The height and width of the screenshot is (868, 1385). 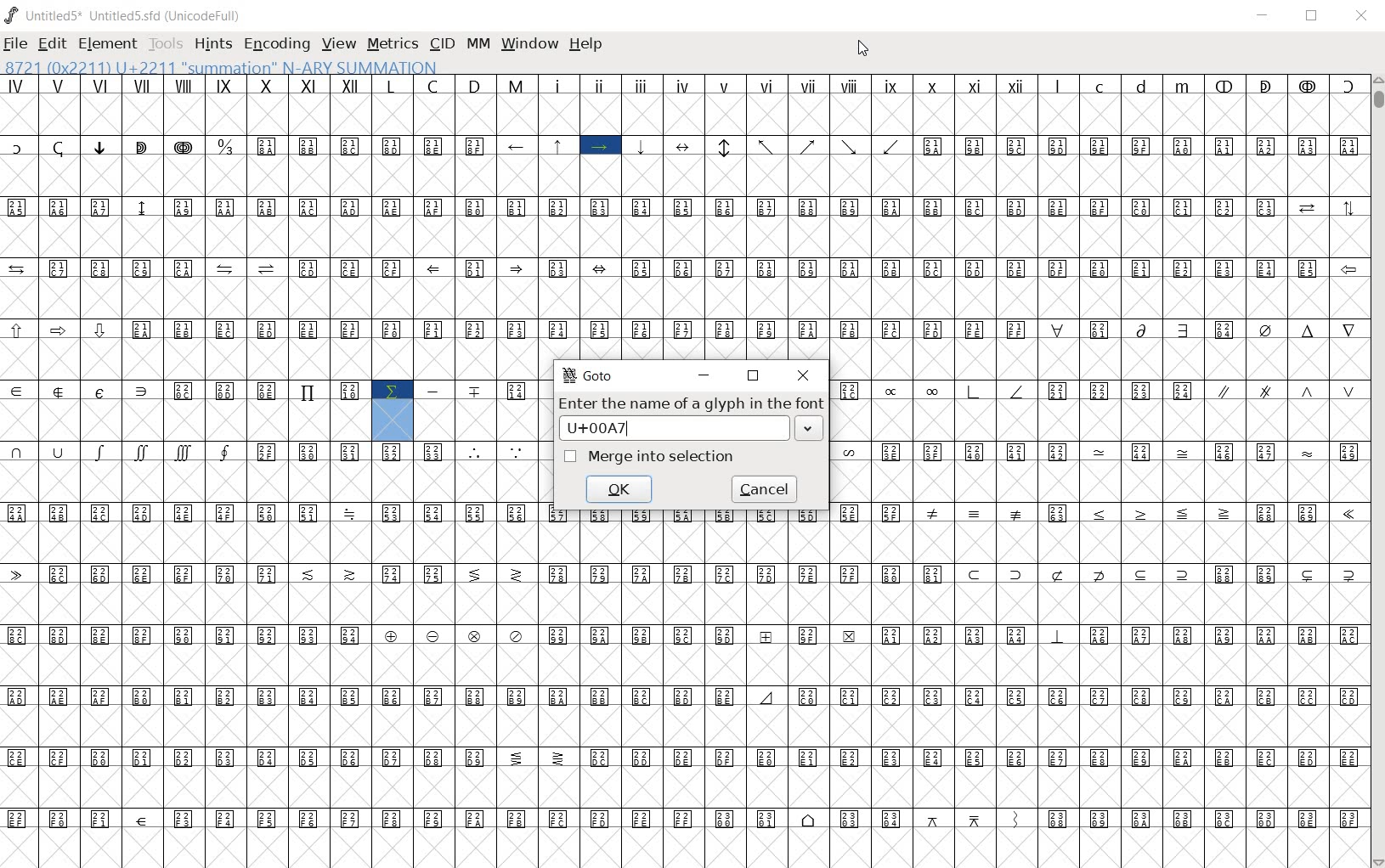 I want to click on special symbols, so click(x=688, y=206).